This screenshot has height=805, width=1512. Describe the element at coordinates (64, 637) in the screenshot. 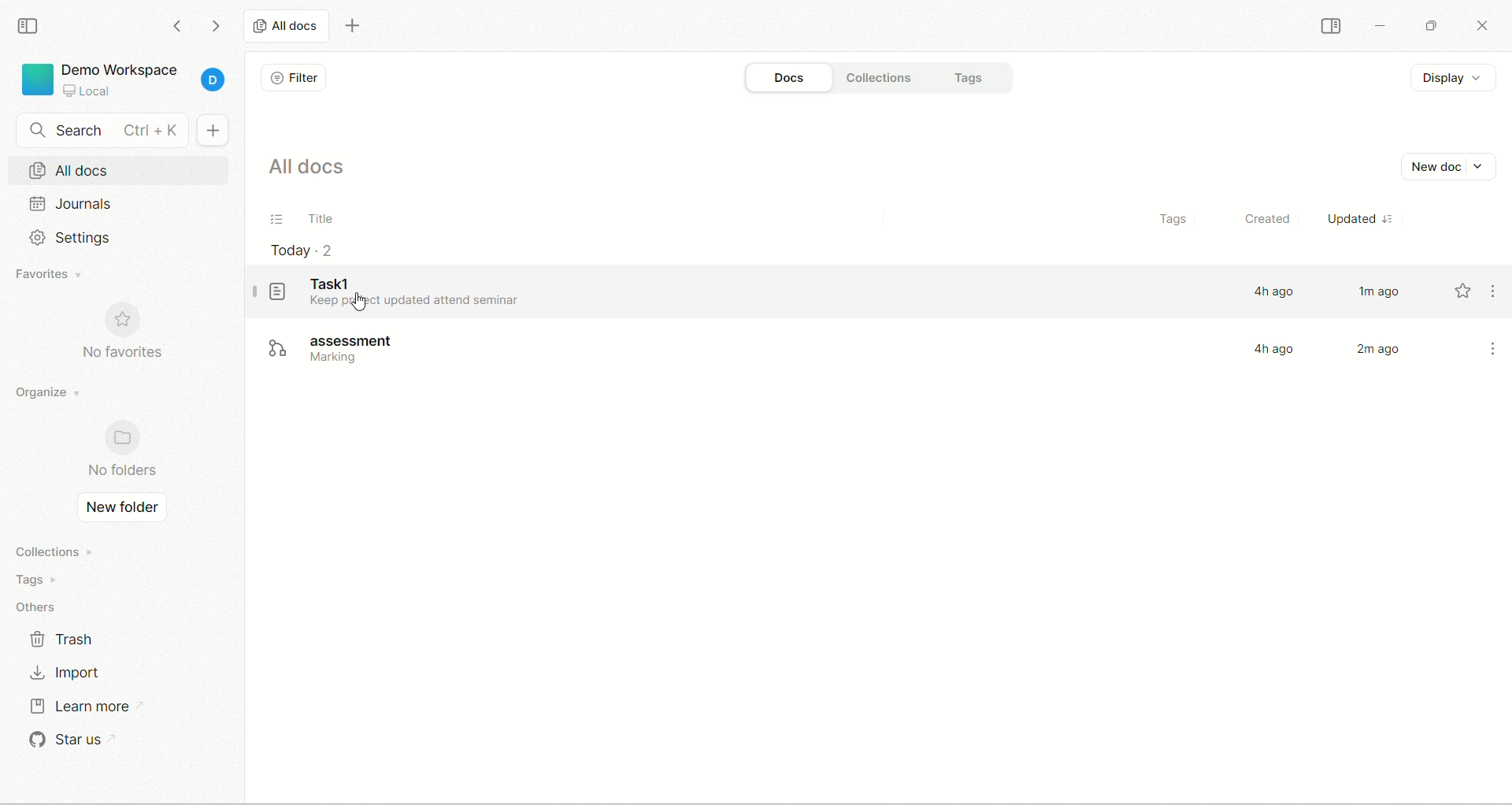

I see `trash` at that location.